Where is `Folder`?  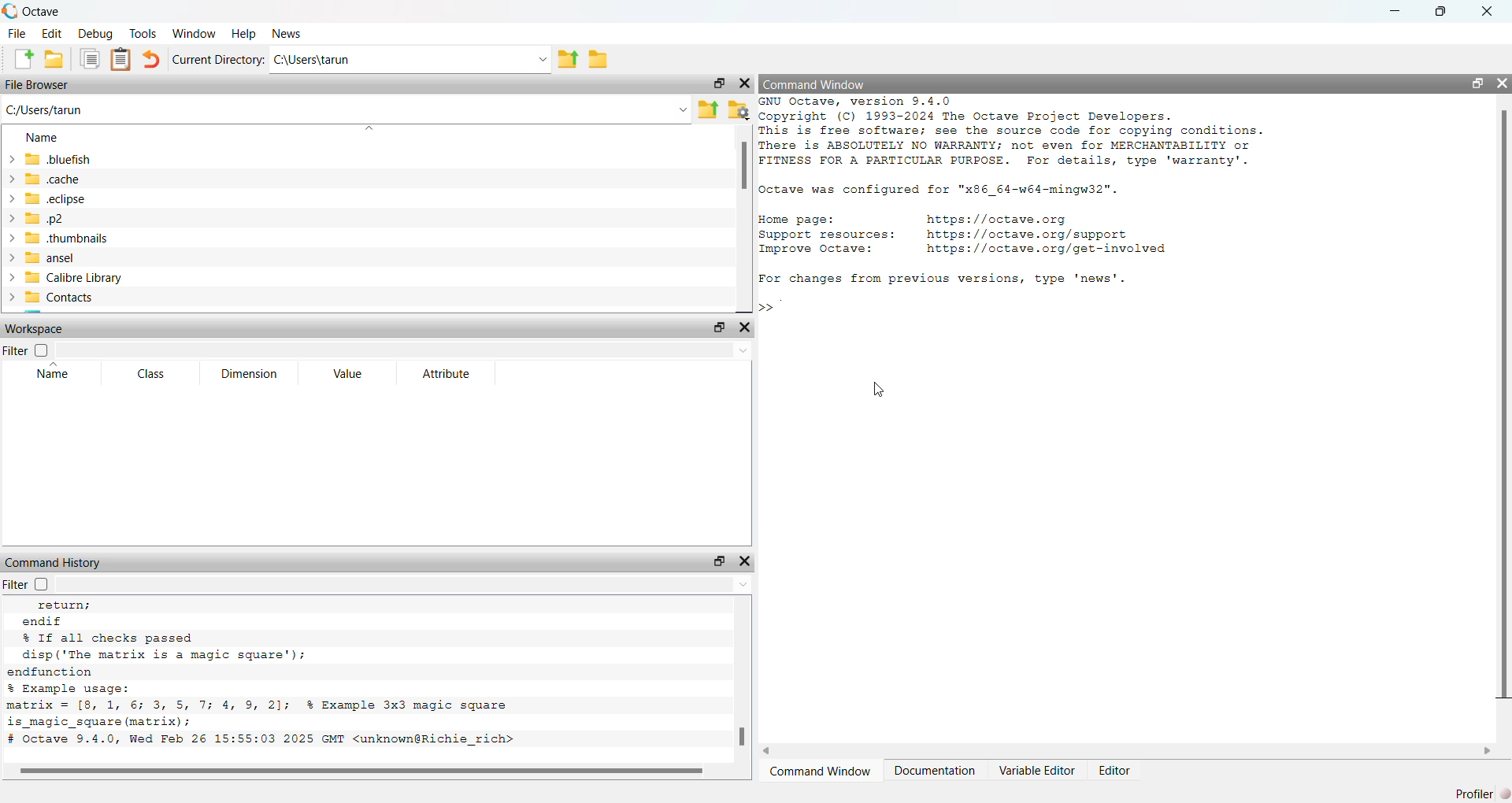
Folder is located at coordinates (600, 59).